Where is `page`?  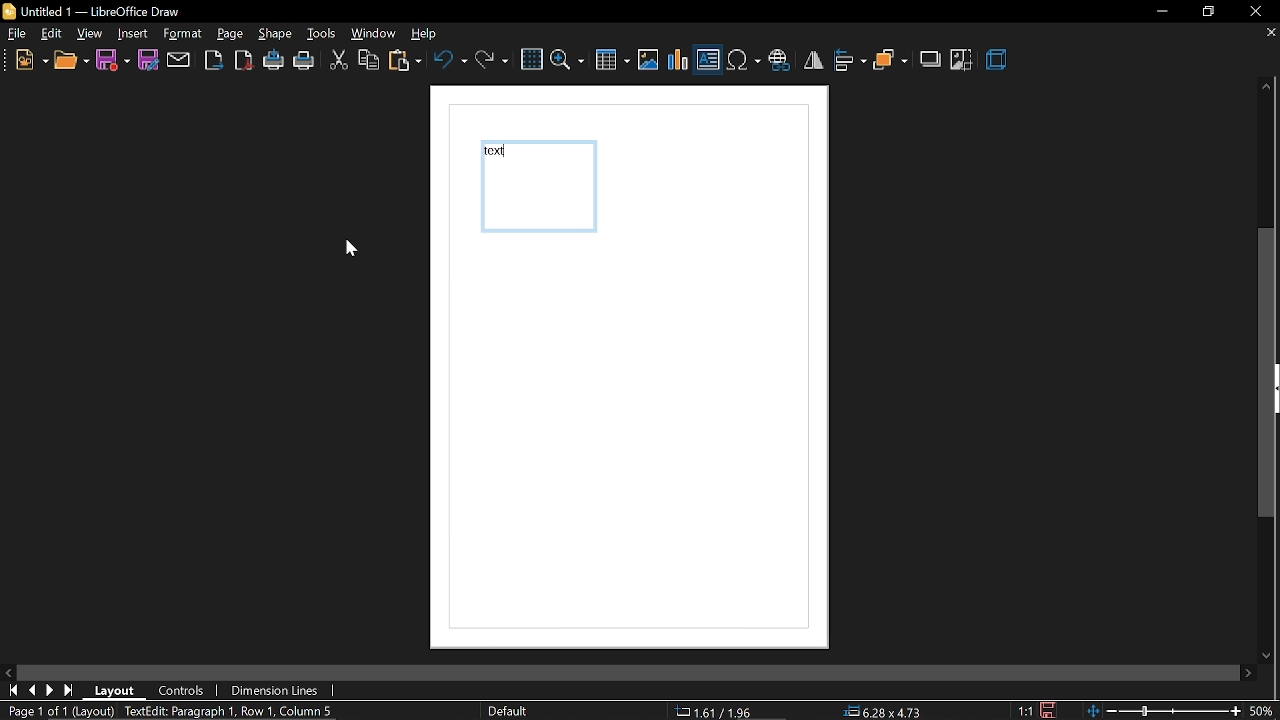
page is located at coordinates (230, 34).